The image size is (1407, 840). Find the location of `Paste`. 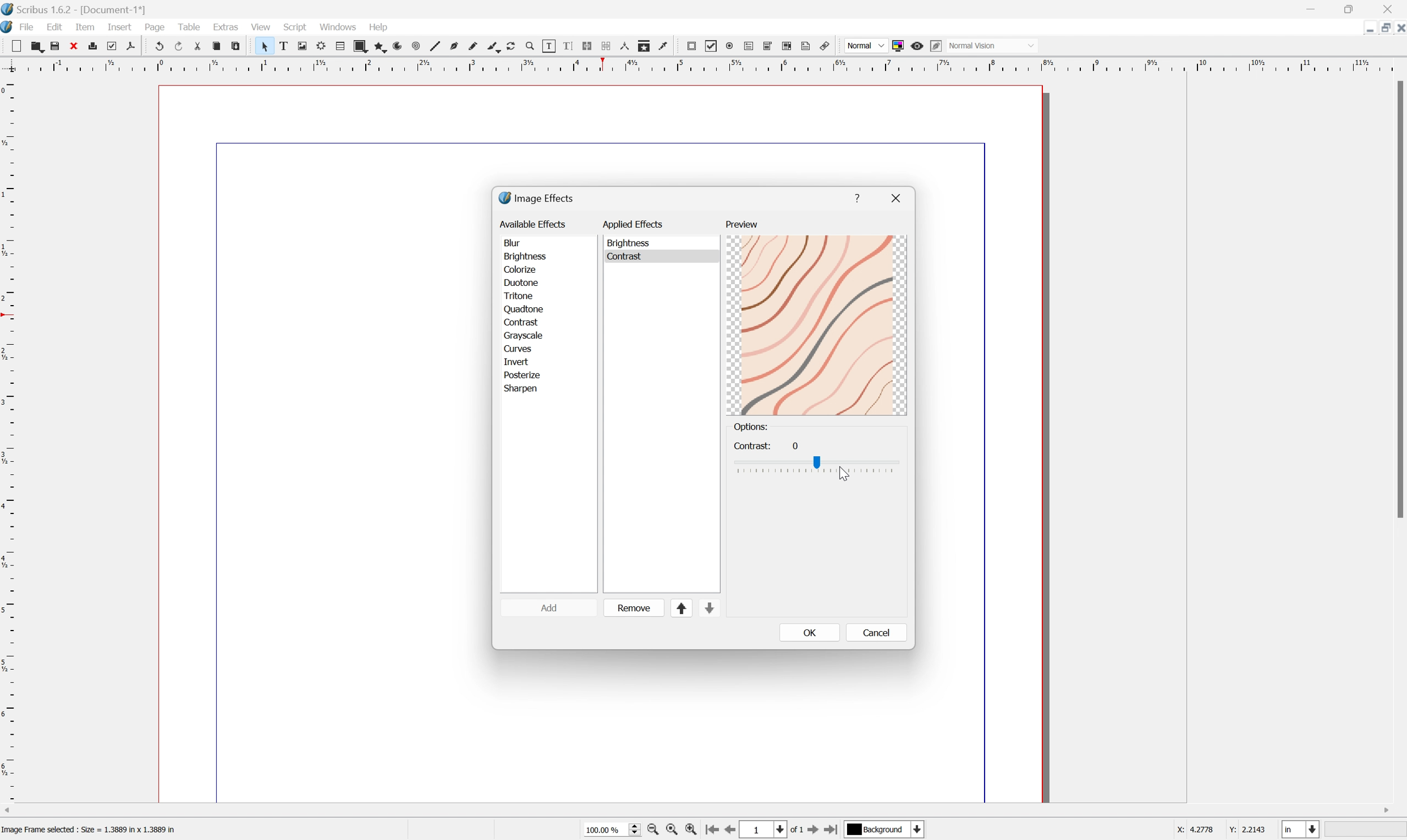

Paste is located at coordinates (237, 44).